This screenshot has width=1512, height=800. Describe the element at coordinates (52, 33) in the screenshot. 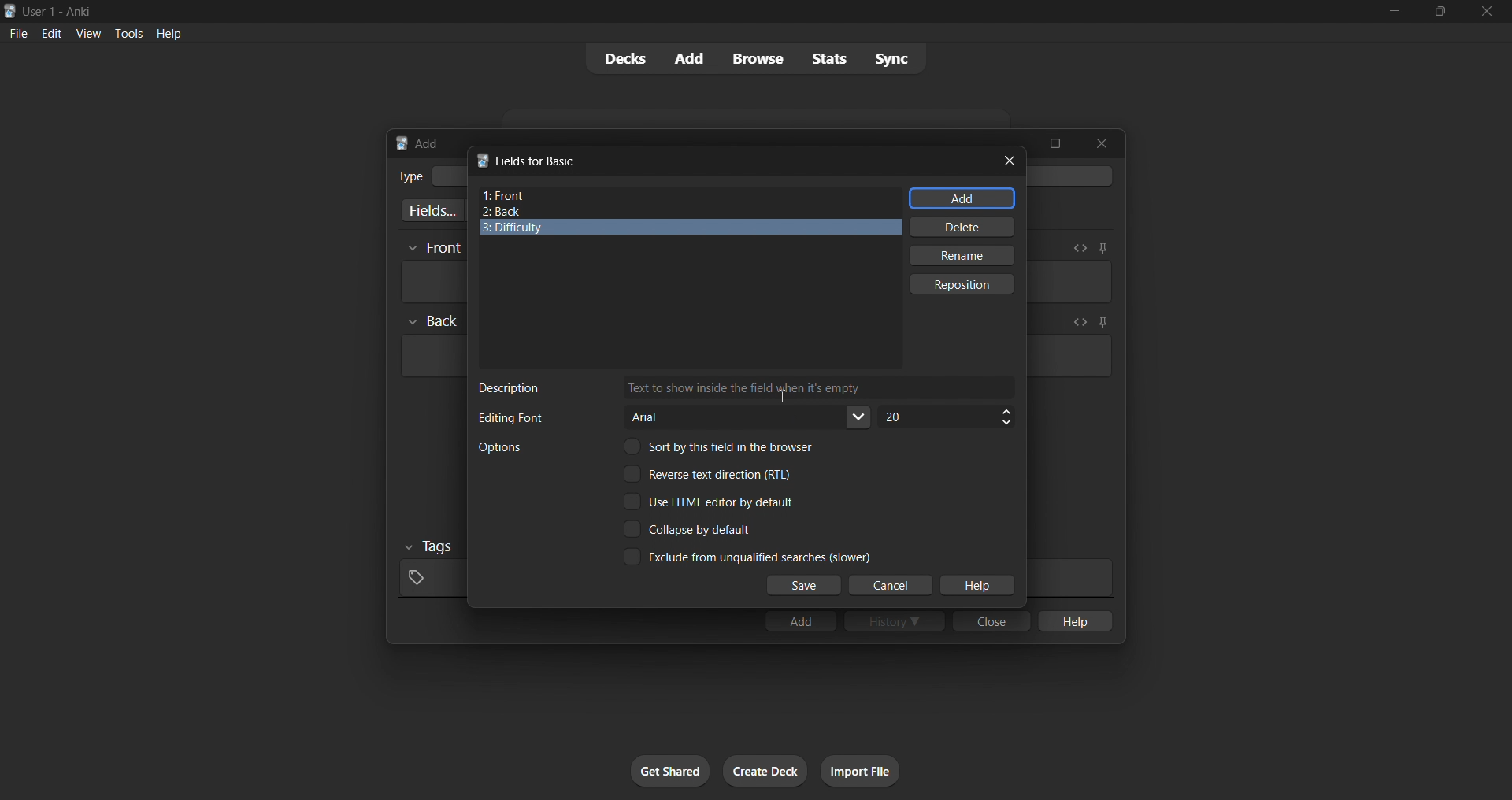

I see `edit` at that location.